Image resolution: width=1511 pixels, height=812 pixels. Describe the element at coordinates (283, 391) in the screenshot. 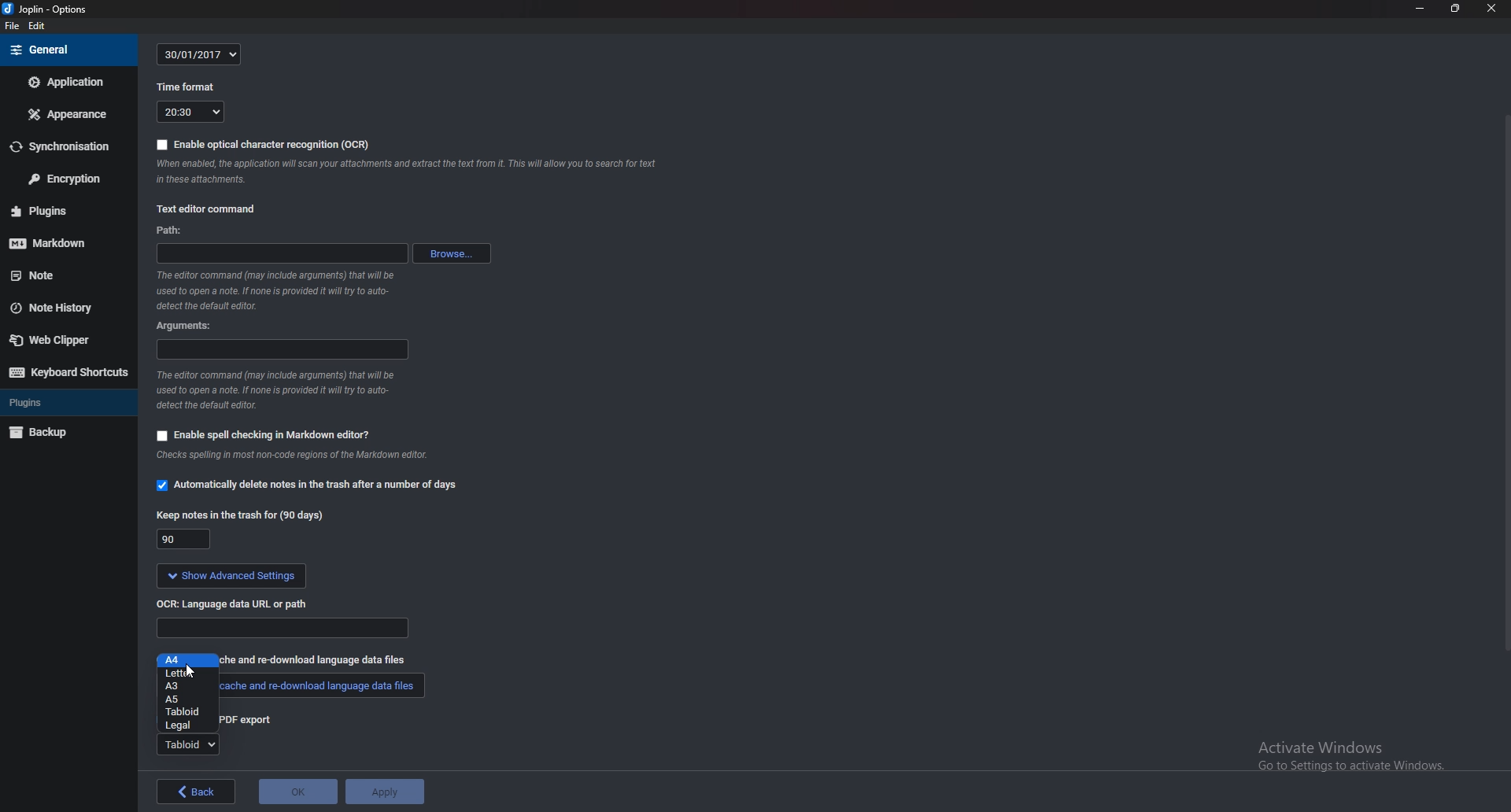

I see `info` at that location.